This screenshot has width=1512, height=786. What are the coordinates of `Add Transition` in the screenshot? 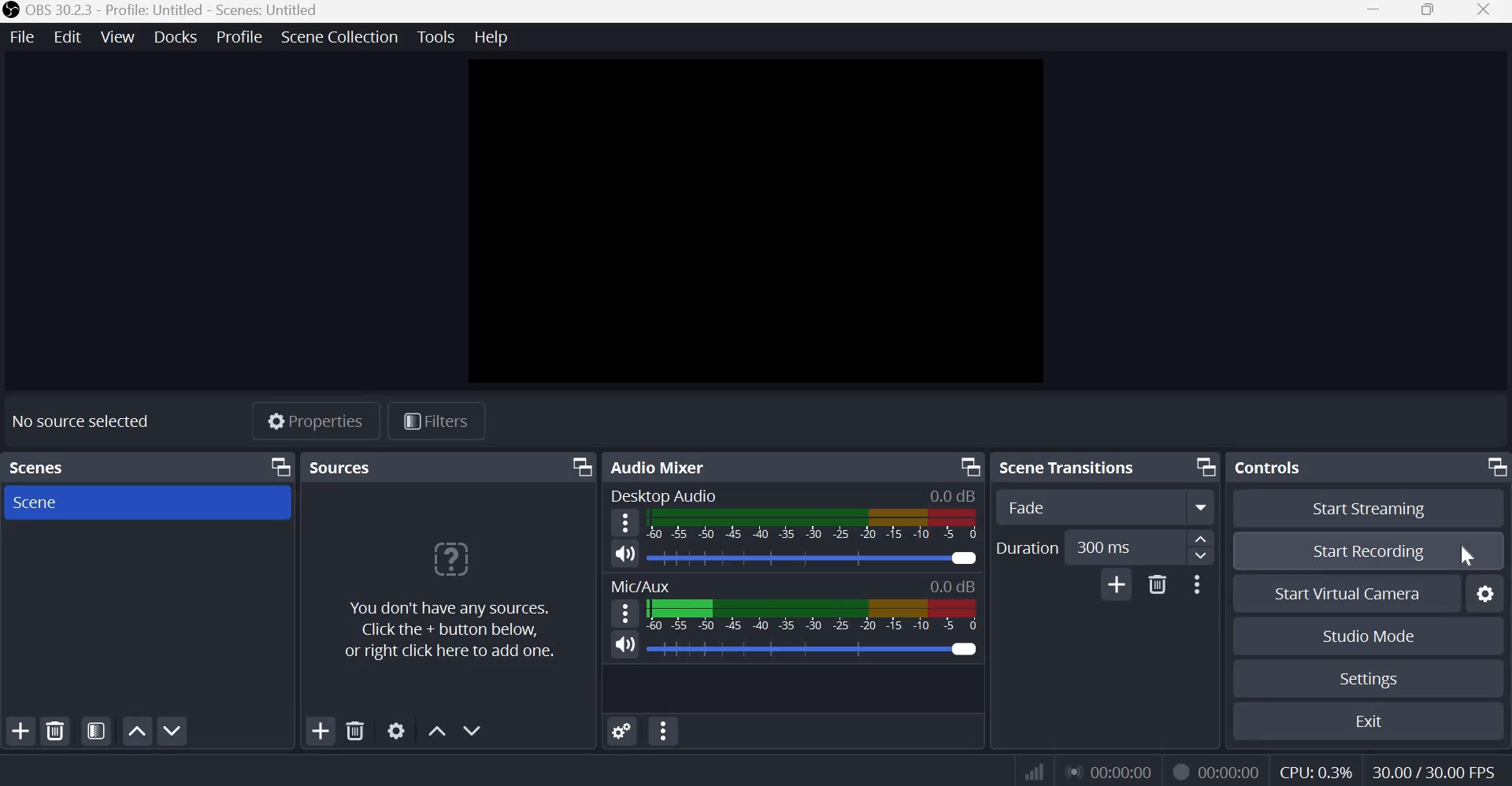 It's located at (1116, 584).